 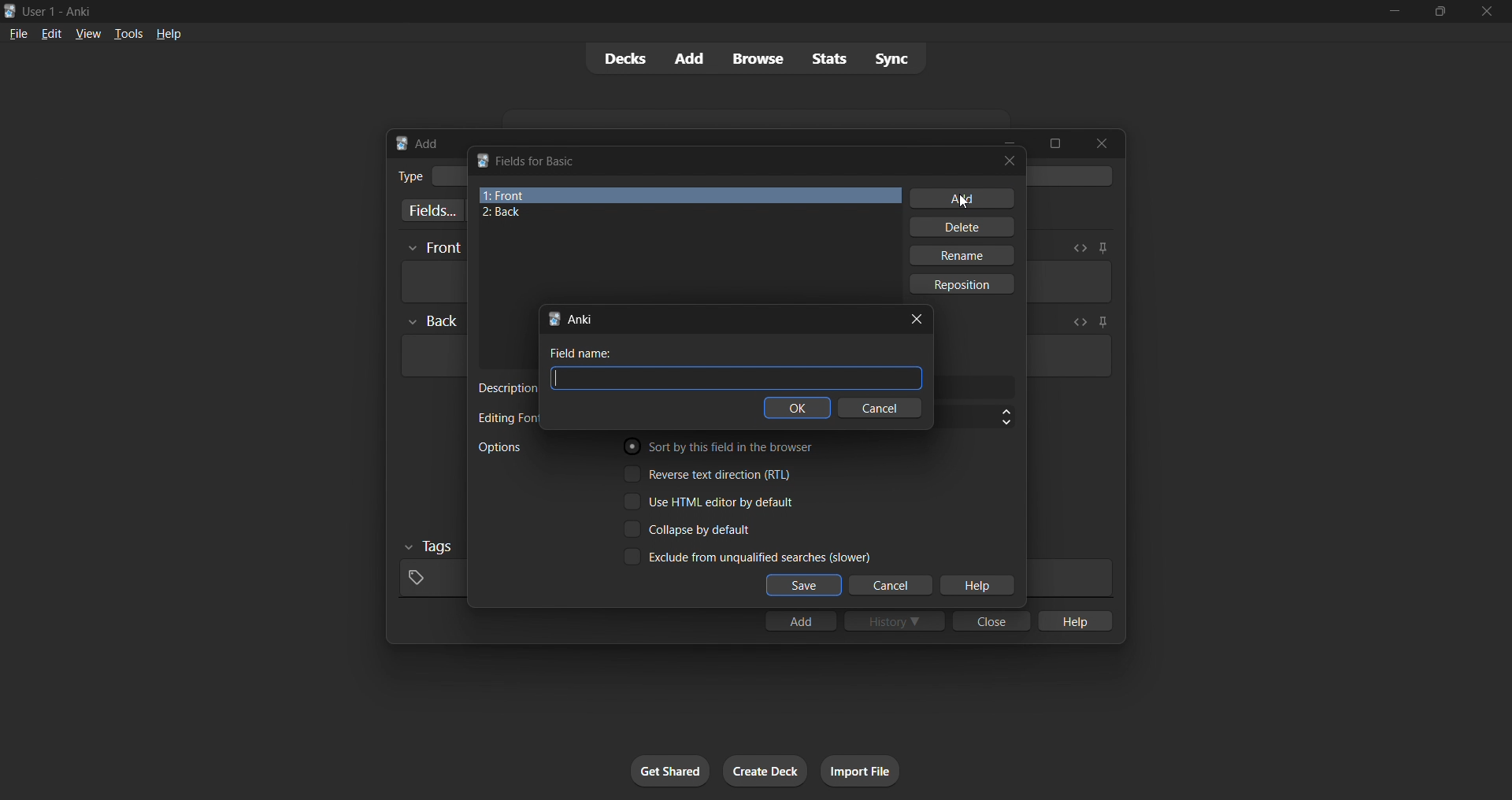 What do you see at coordinates (1487, 12) in the screenshot?
I see `close` at bounding box center [1487, 12].